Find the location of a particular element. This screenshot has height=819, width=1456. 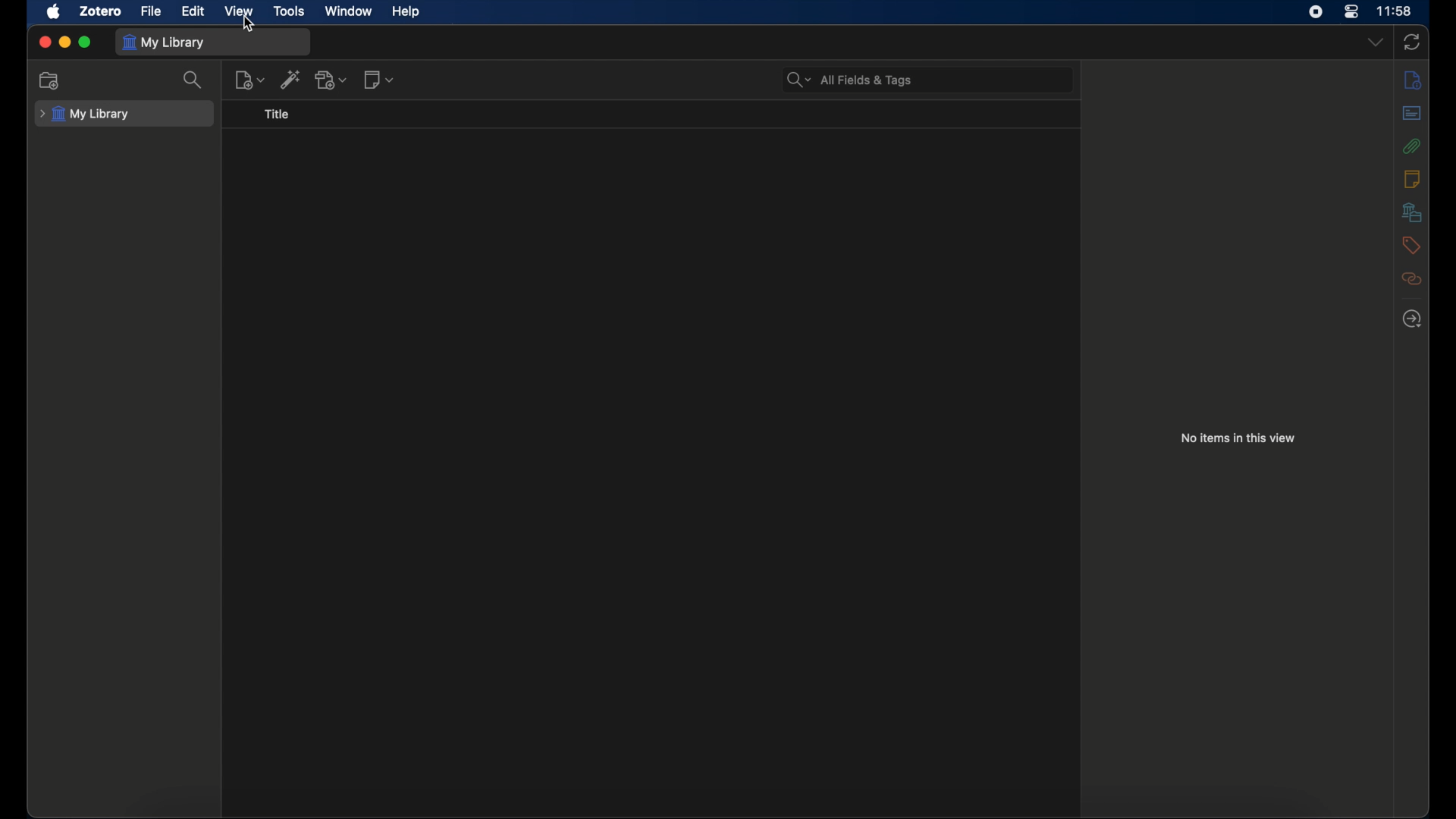

add attachments is located at coordinates (331, 80).